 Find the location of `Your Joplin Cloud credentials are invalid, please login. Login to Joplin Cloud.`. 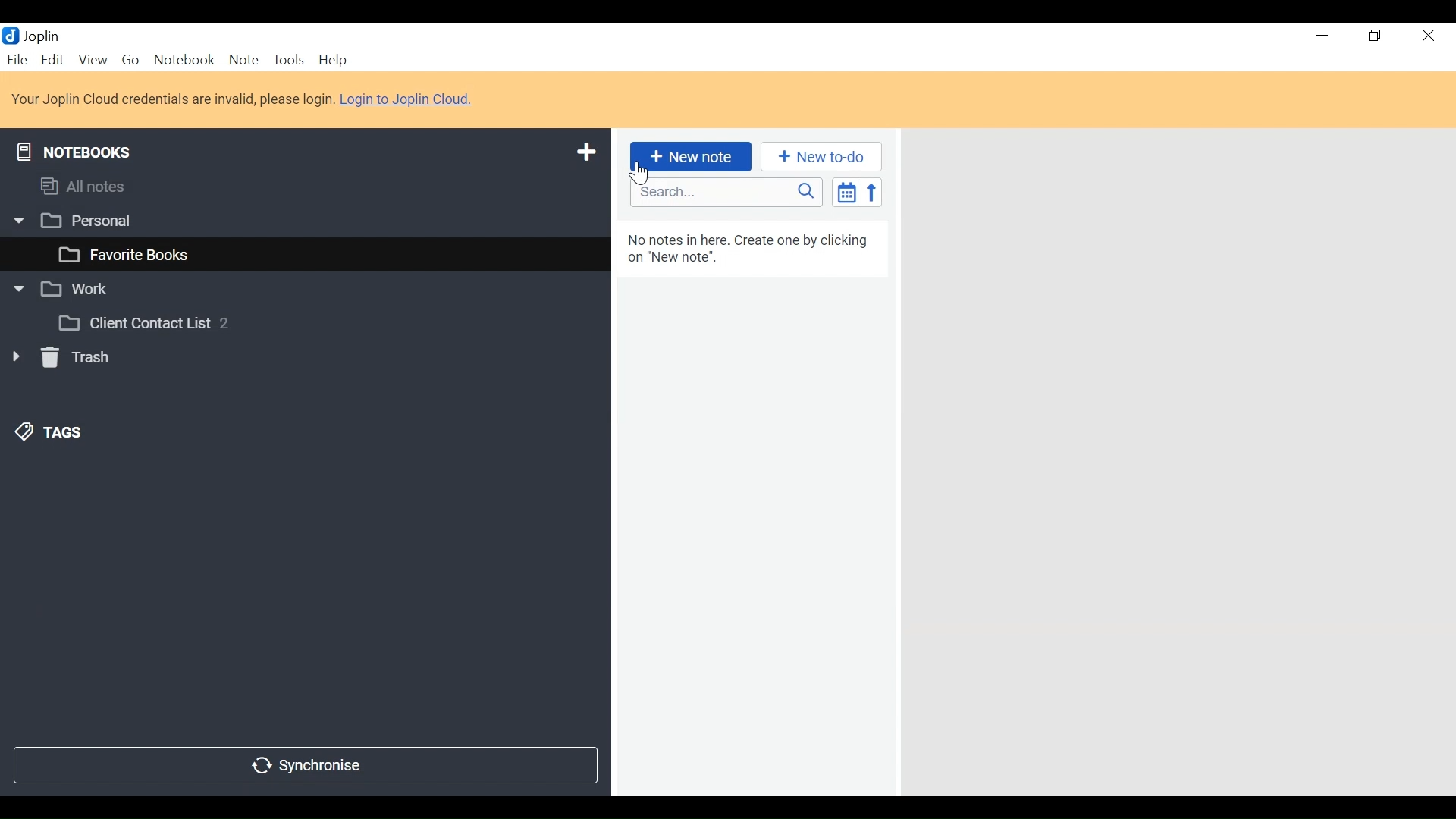

Your Joplin Cloud credentials are invalid, please login. Login to Joplin Cloud. is located at coordinates (246, 99).